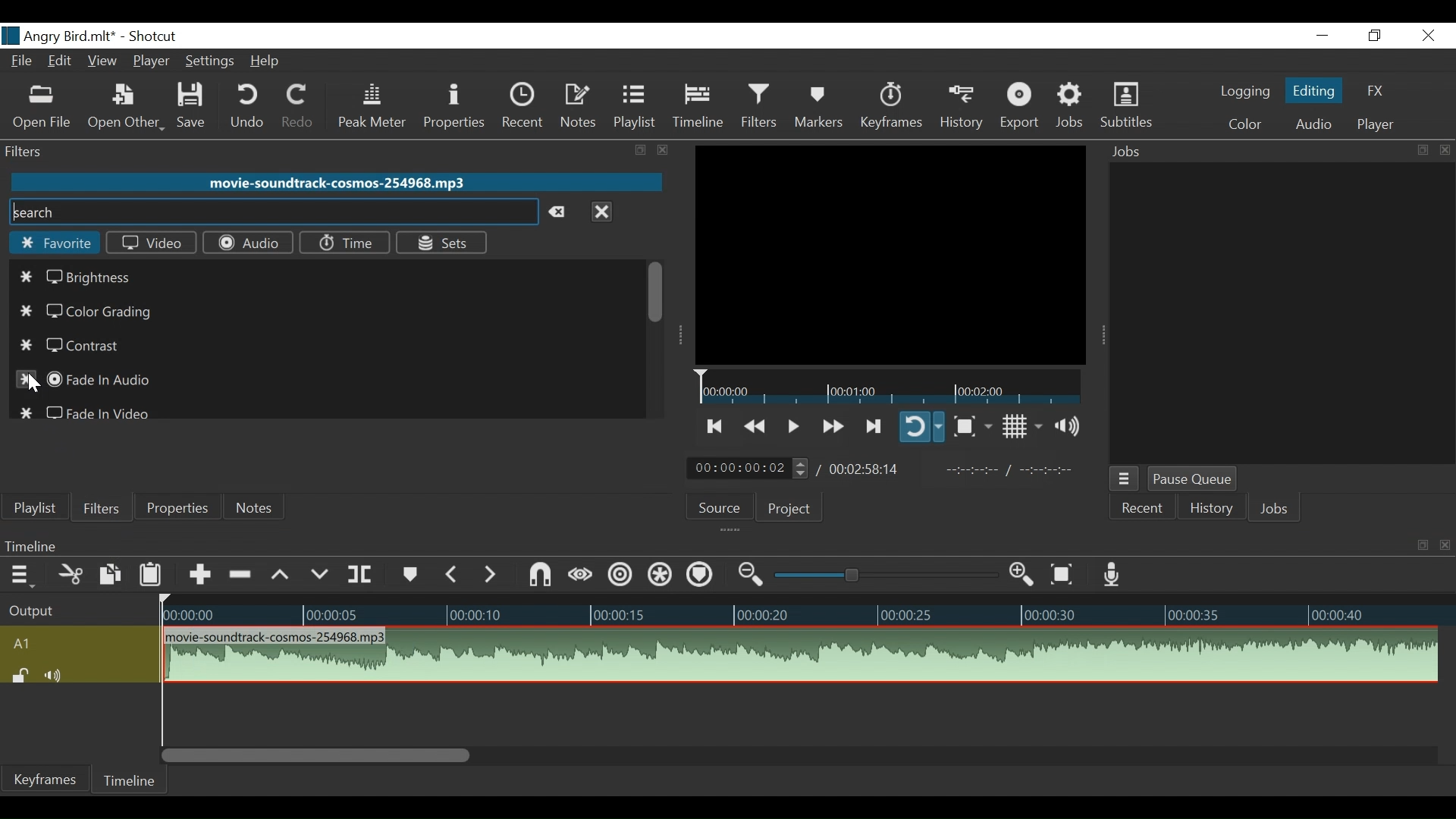 Image resolution: width=1456 pixels, height=819 pixels. Describe the element at coordinates (1421, 150) in the screenshot. I see `resize` at that location.